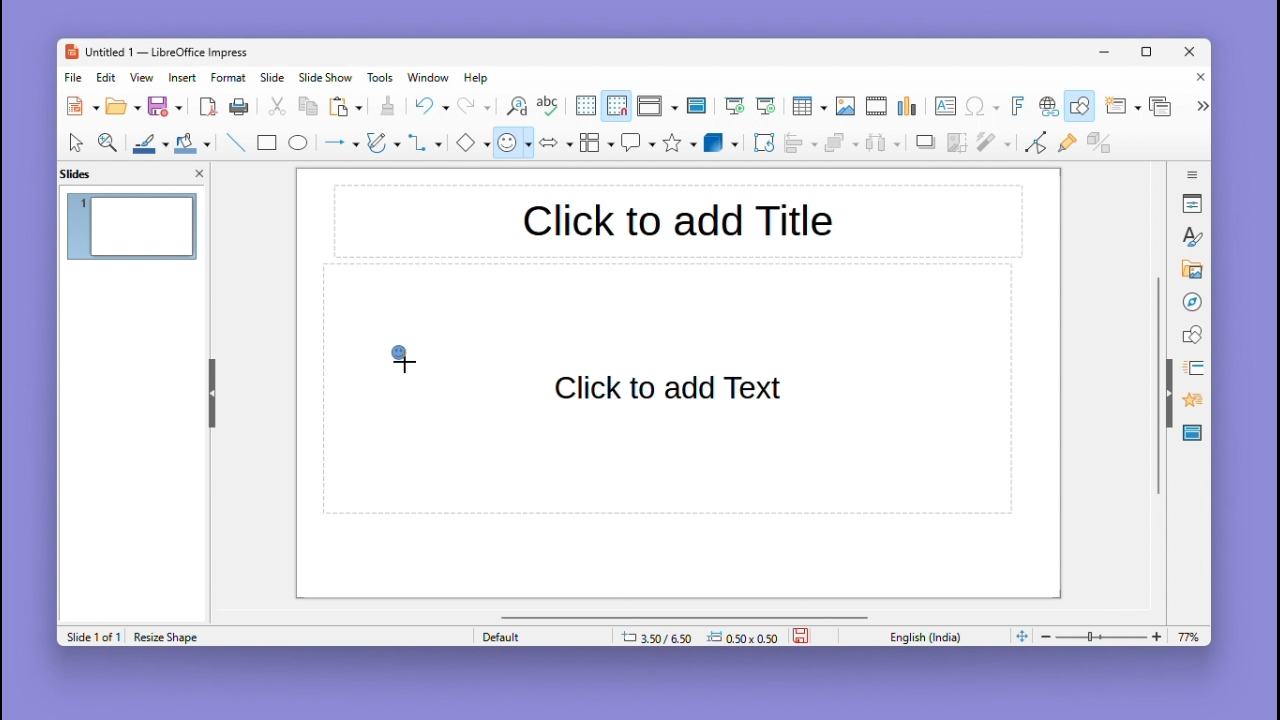 This screenshot has width=1280, height=720. Describe the element at coordinates (1189, 270) in the screenshot. I see `Gallery` at that location.